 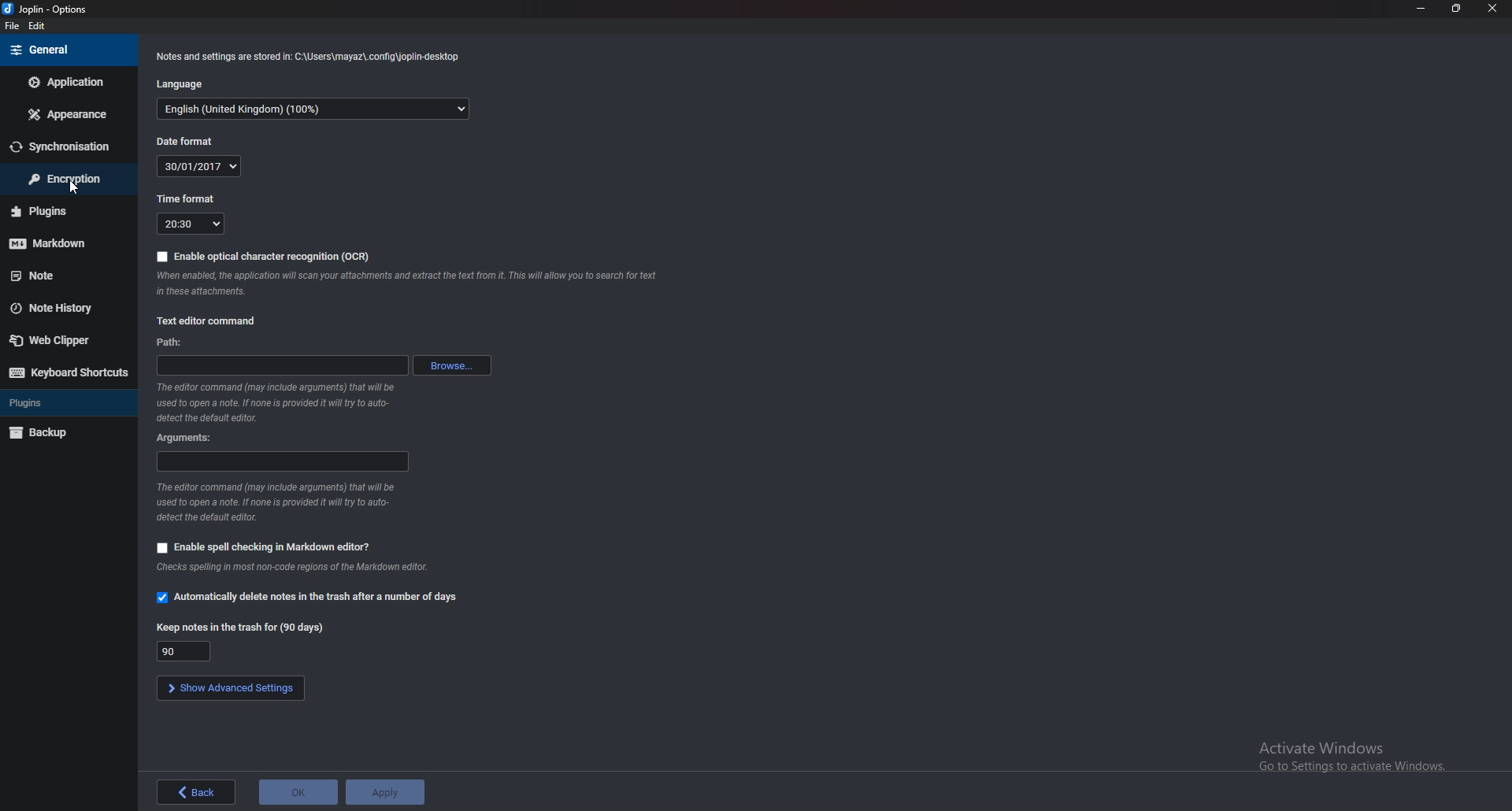 What do you see at coordinates (210, 320) in the screenshot?
I see `text editor command` at bounding box center [210, 320].